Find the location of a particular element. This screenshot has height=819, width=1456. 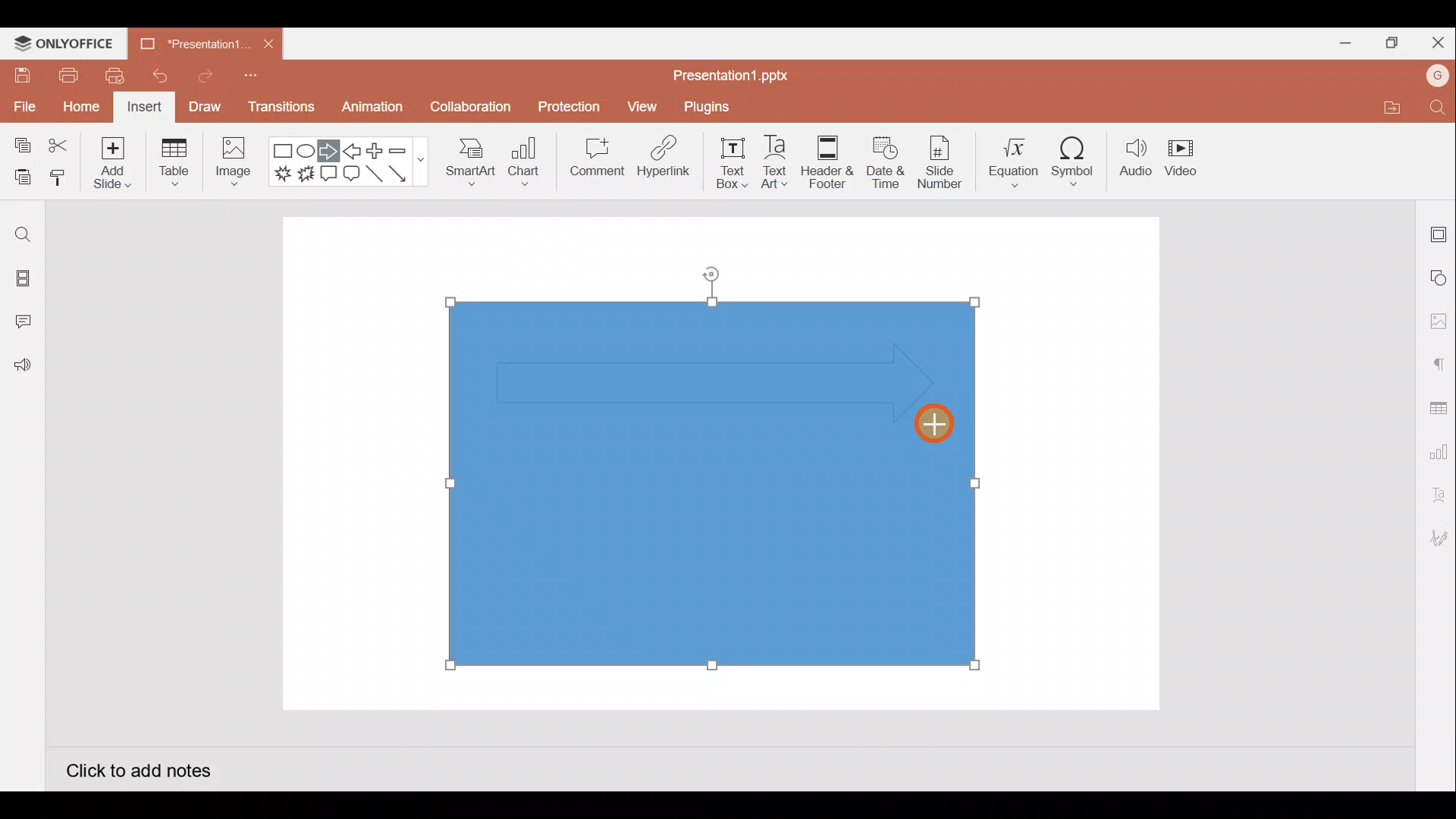

Image settings is located at coordinates (1439, 322).